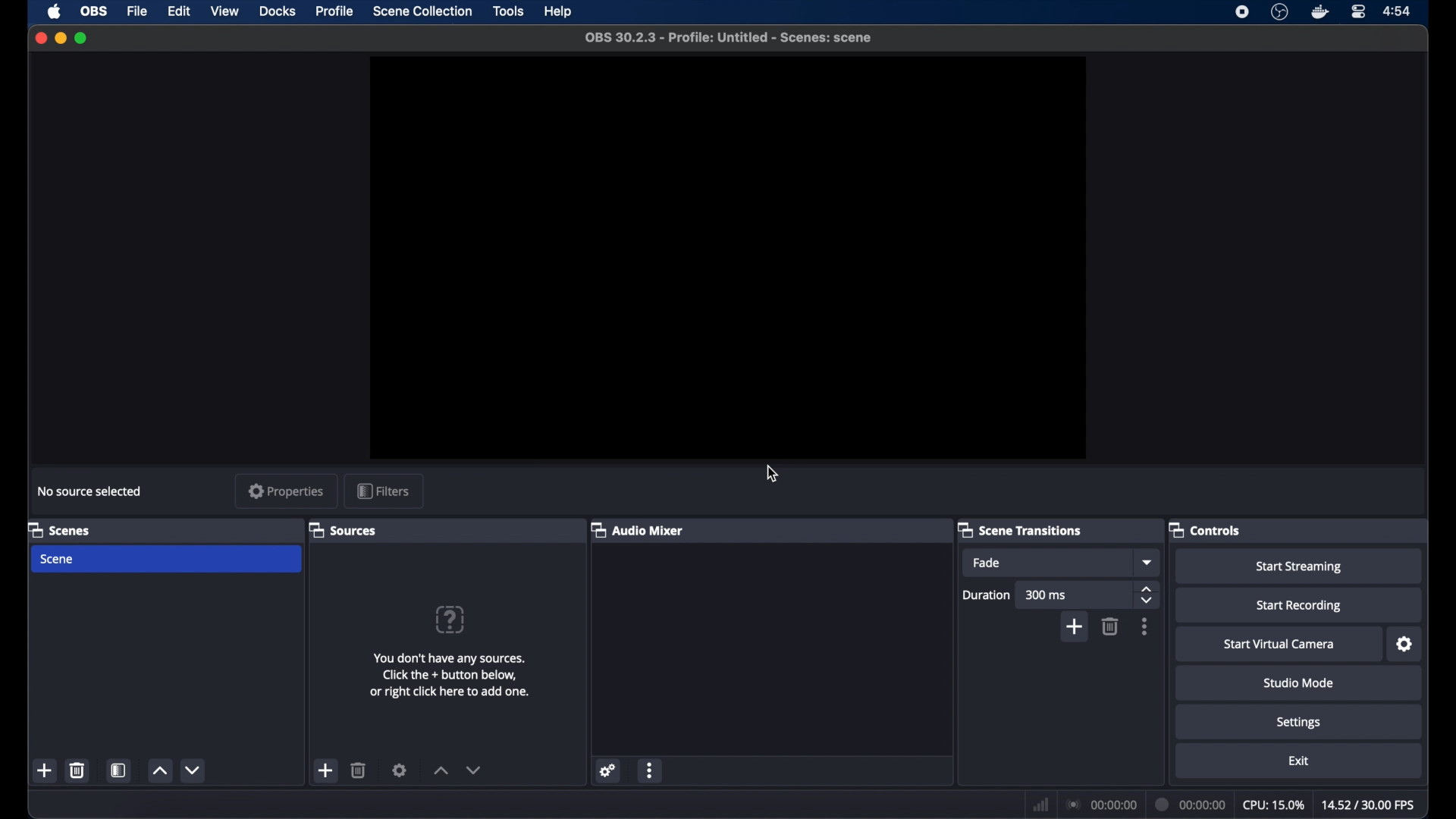 The height and width of the screenshot is (819, 1456). I want to click on cpu, so click(1273, 804).